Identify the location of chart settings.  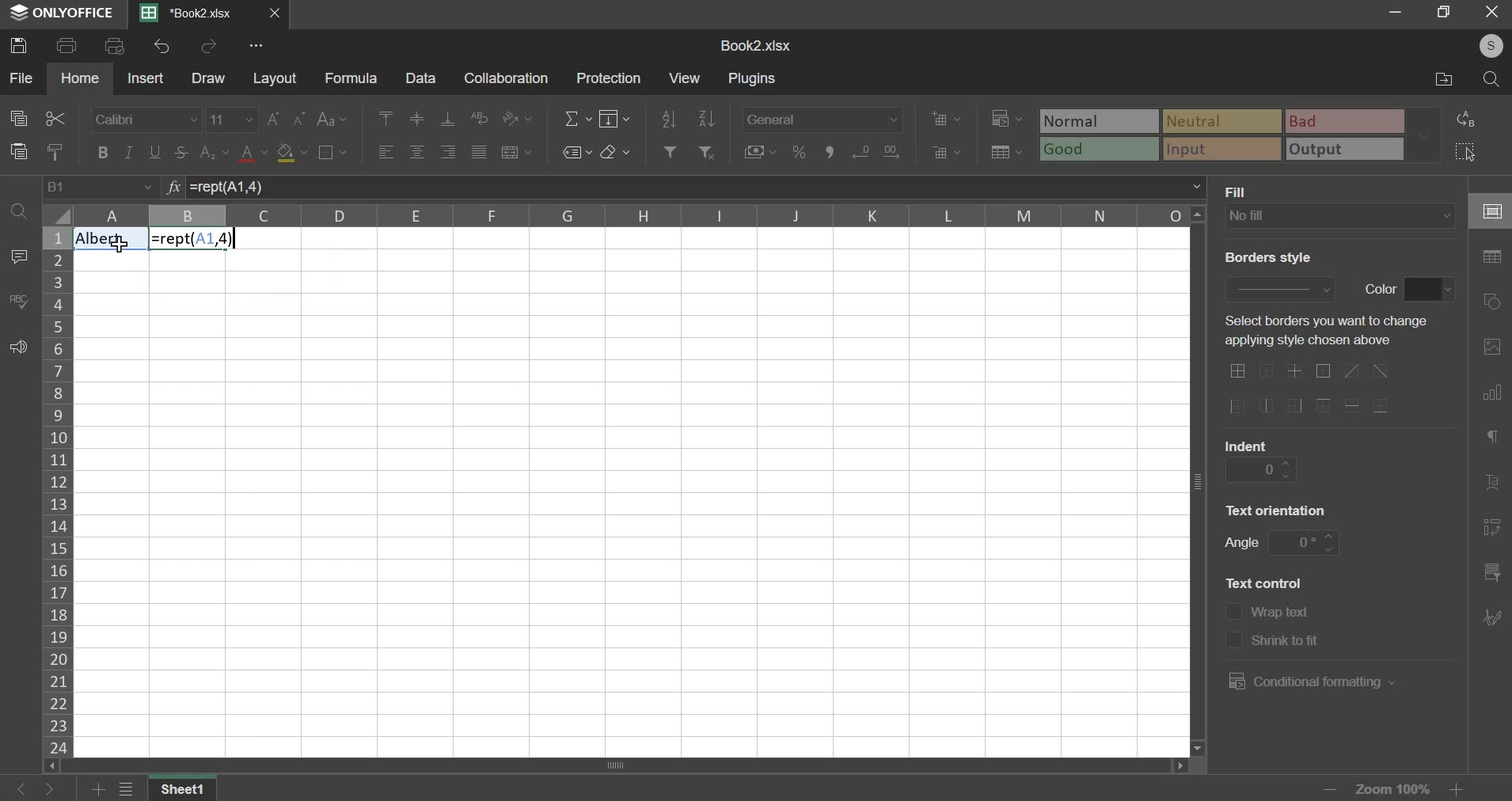
(1492, 392).